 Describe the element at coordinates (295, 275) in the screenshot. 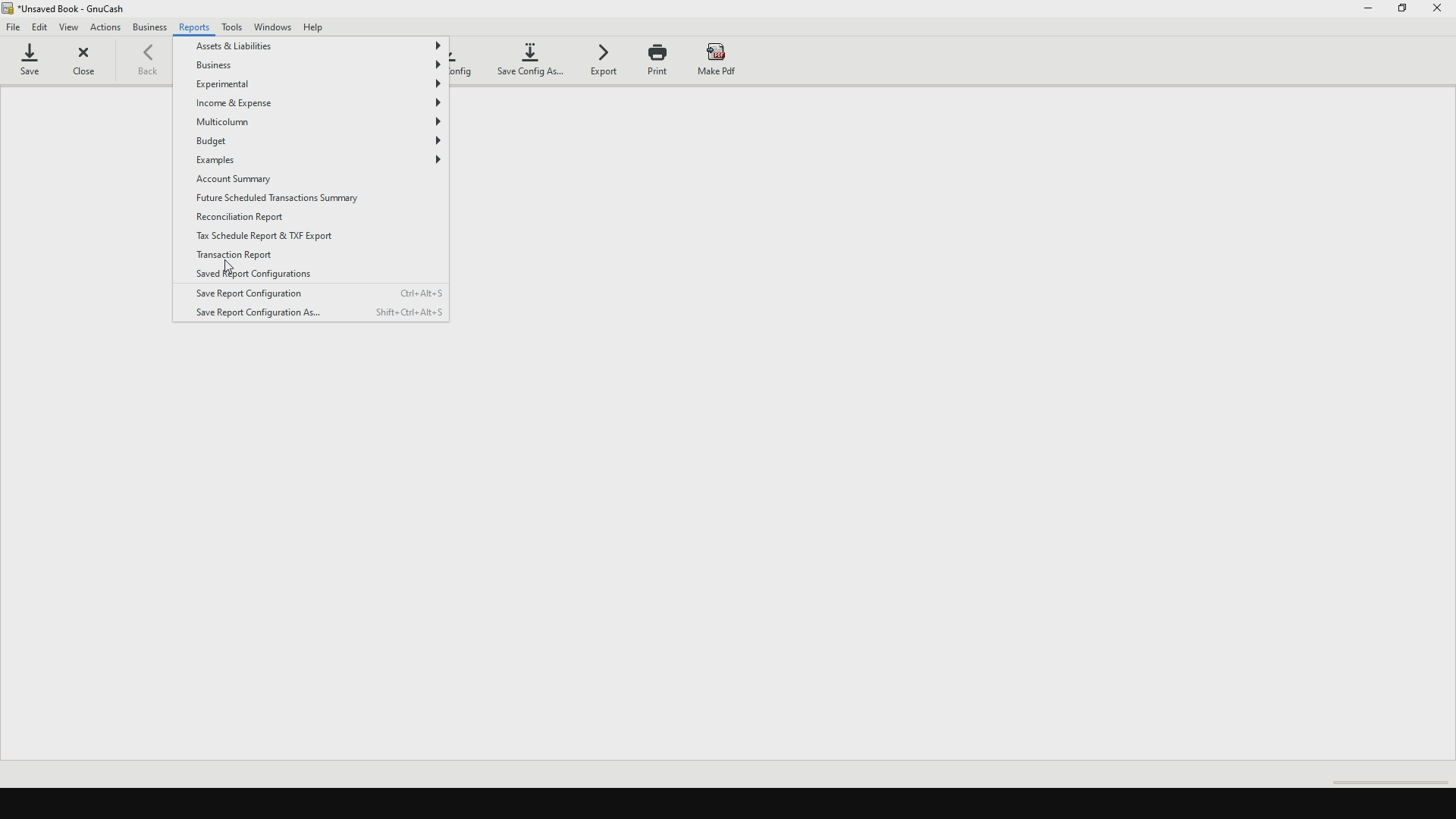

I see `saved report configurations` at that location.